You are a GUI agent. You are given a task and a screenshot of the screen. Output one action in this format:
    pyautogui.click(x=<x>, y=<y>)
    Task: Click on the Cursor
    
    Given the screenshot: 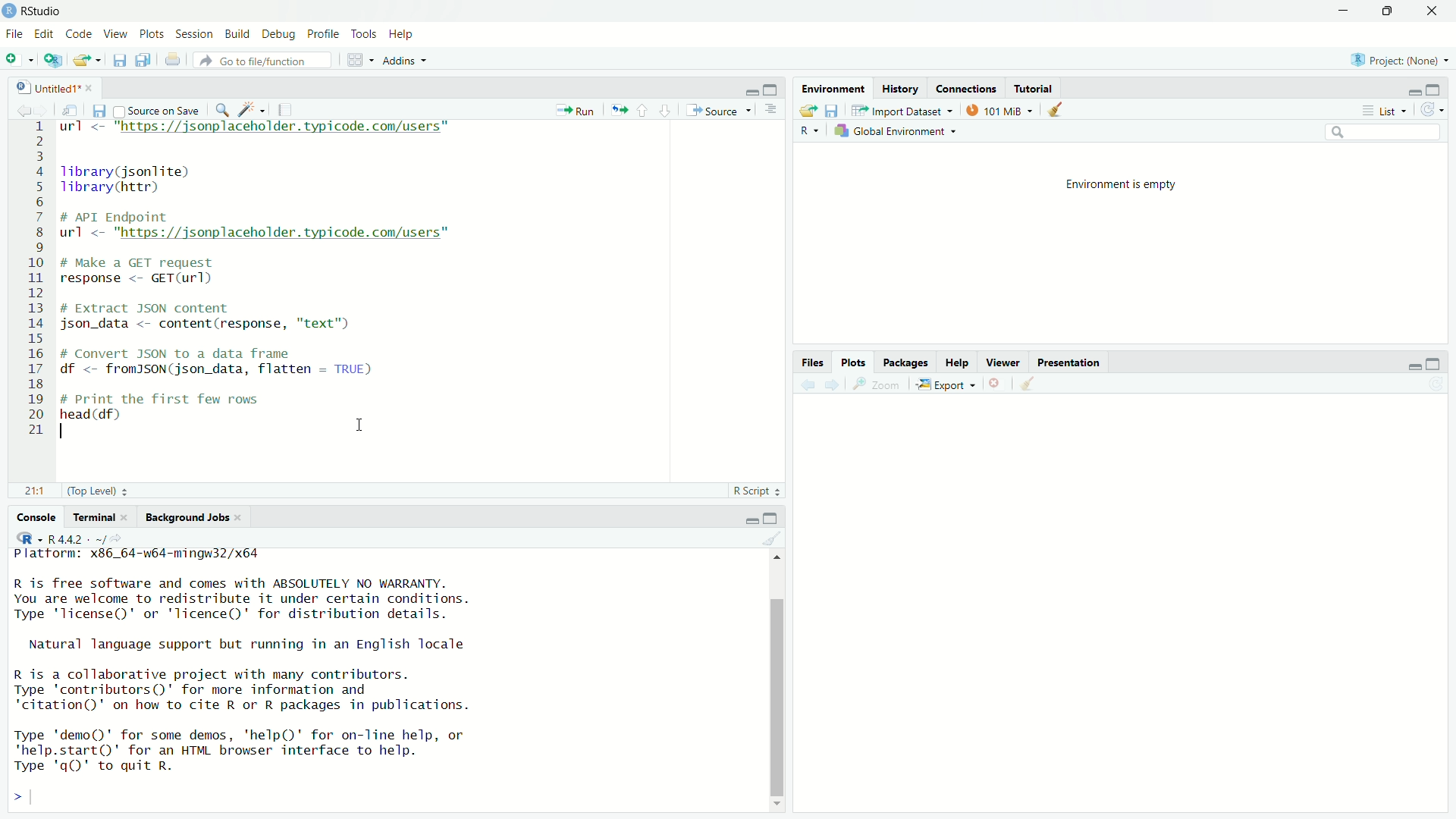 What is the action you would take?
    pyautogui.click(x=362, y=424)
    